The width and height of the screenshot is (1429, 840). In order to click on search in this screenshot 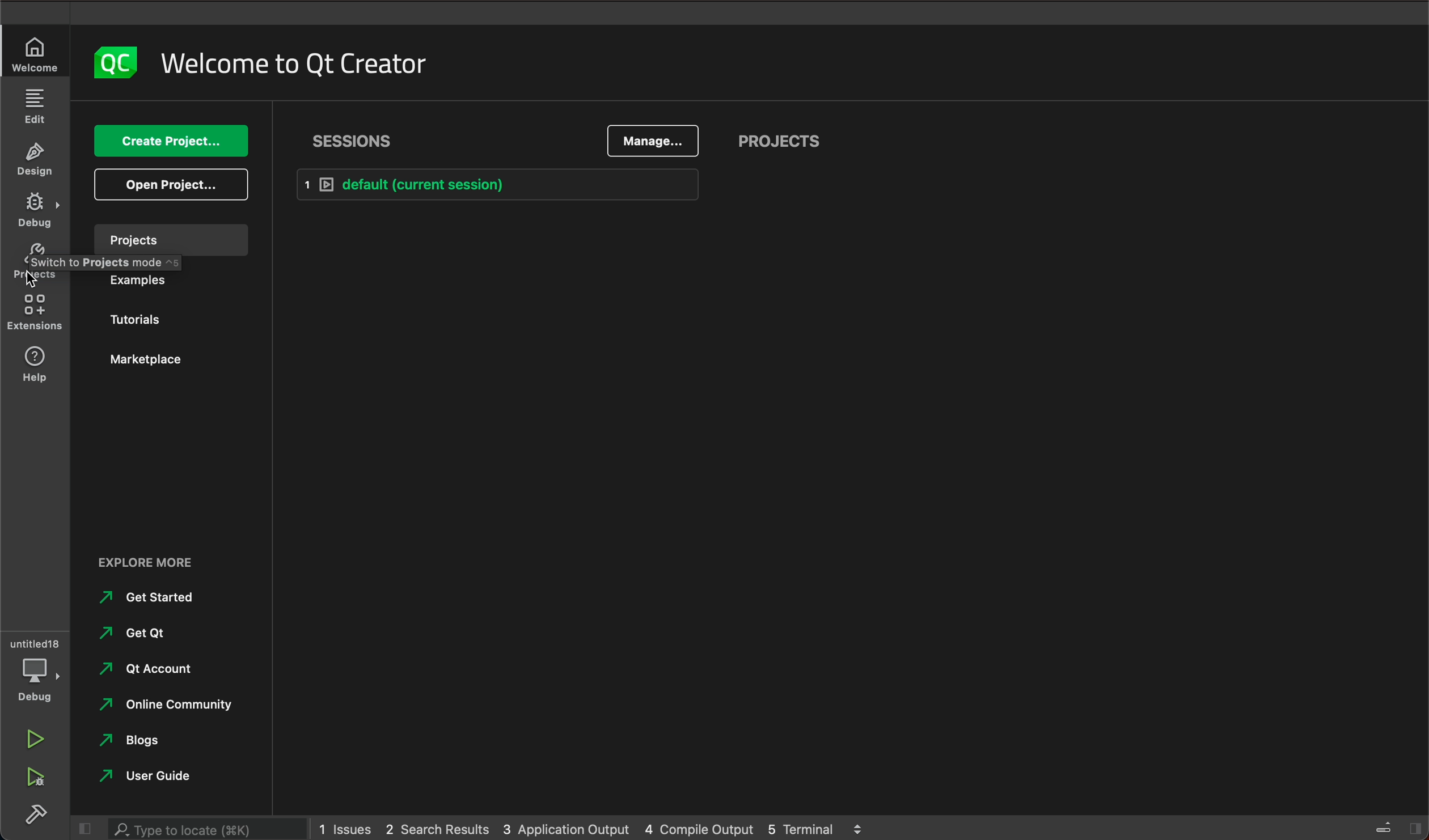, I will do `click(208, 830)`.